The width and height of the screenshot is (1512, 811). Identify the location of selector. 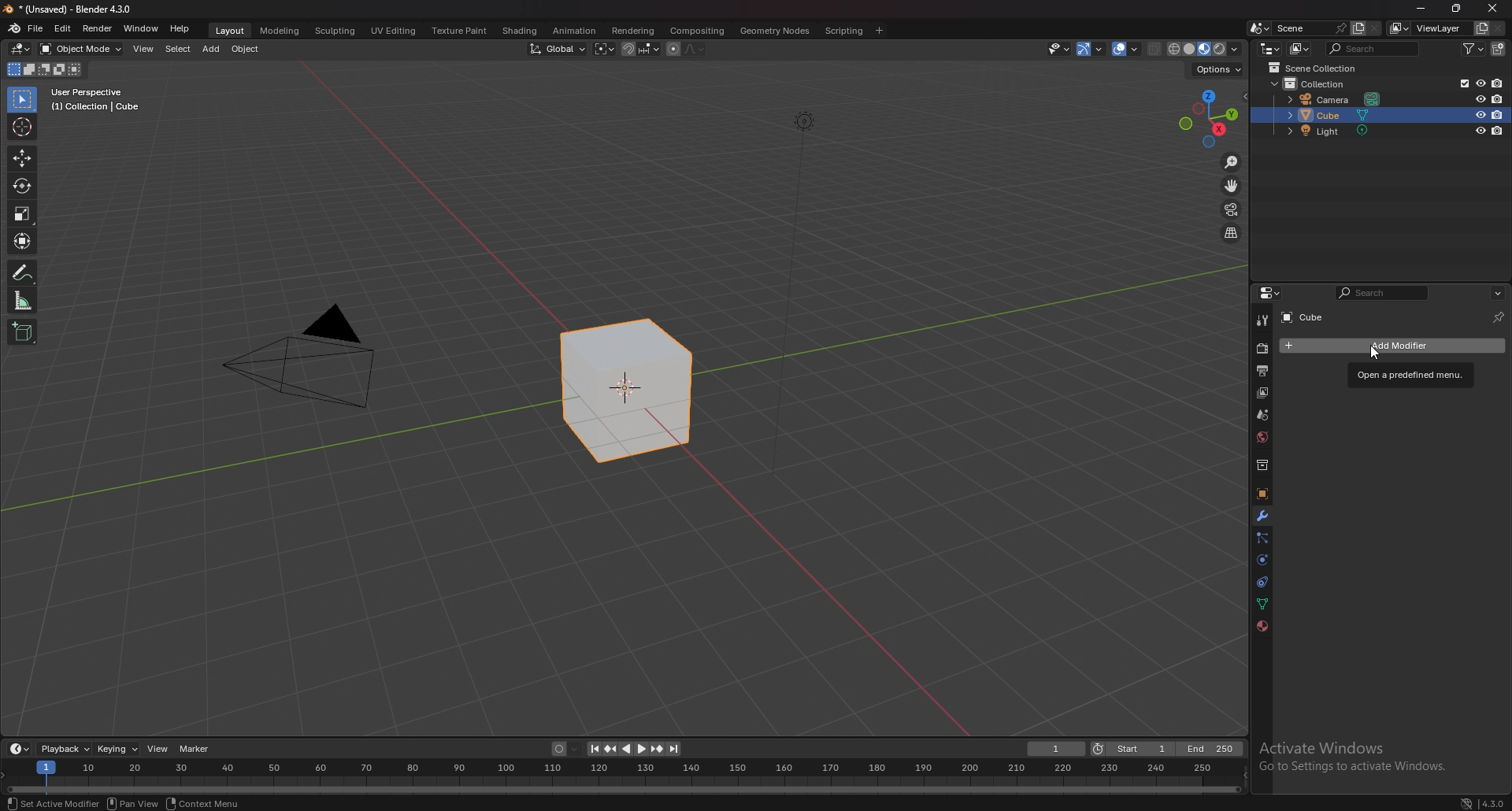
(23, 100).